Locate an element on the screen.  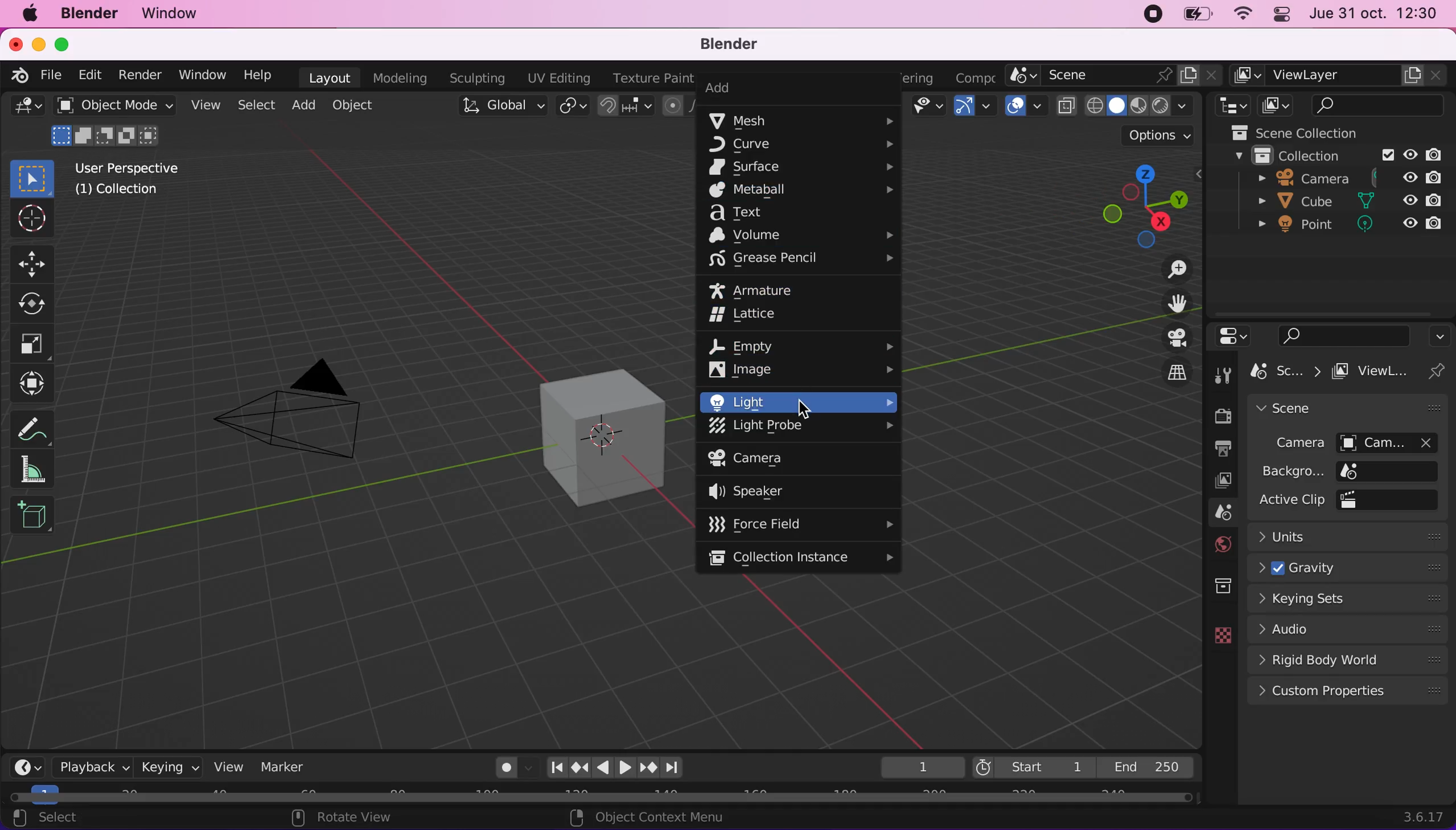
scene is located at coordinates (1288, 372).